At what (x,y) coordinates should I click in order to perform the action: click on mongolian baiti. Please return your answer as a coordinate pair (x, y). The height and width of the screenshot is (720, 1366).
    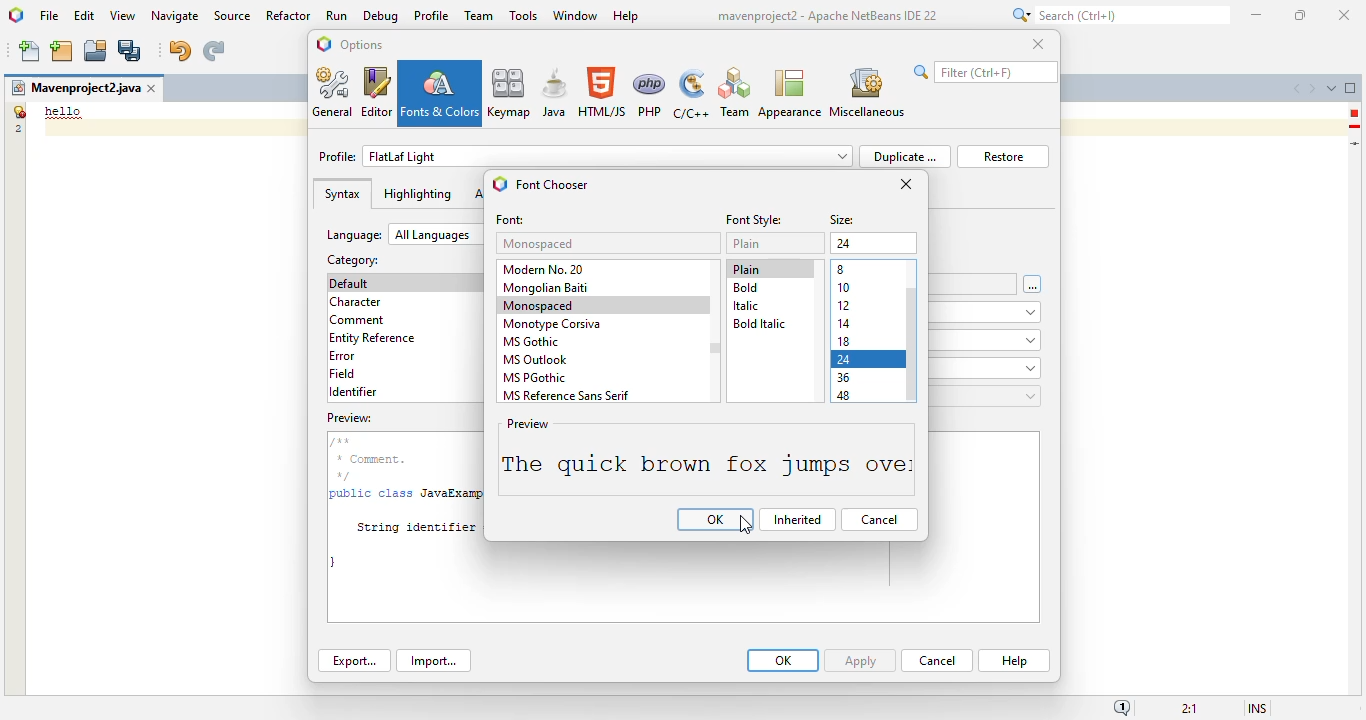
    Looking at the image, I should click on (545, 288).